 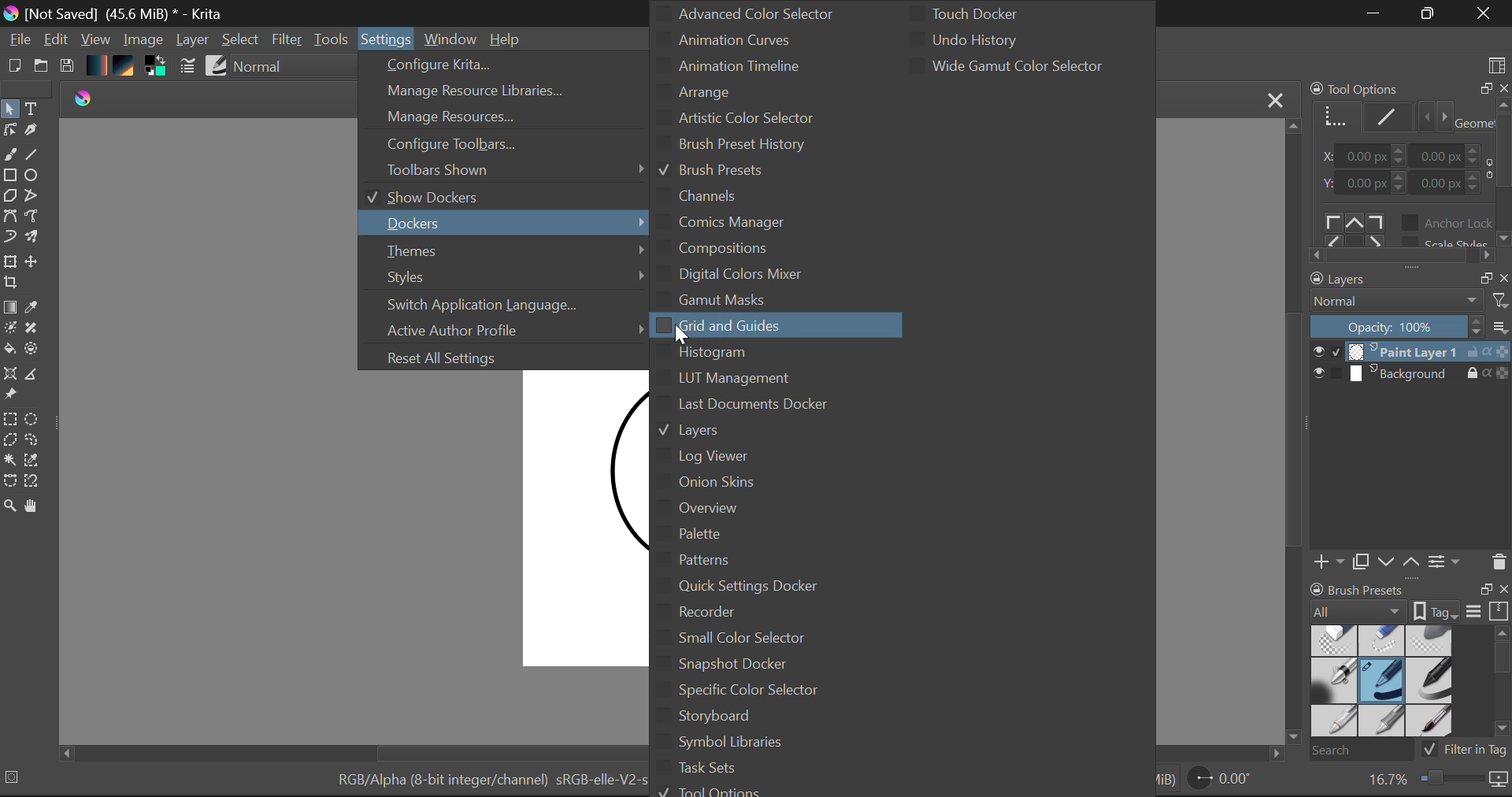 What do you see at coordinates (728, 790) in the screenshot?
I see `Tool Options` at bounding box center [728, 790].